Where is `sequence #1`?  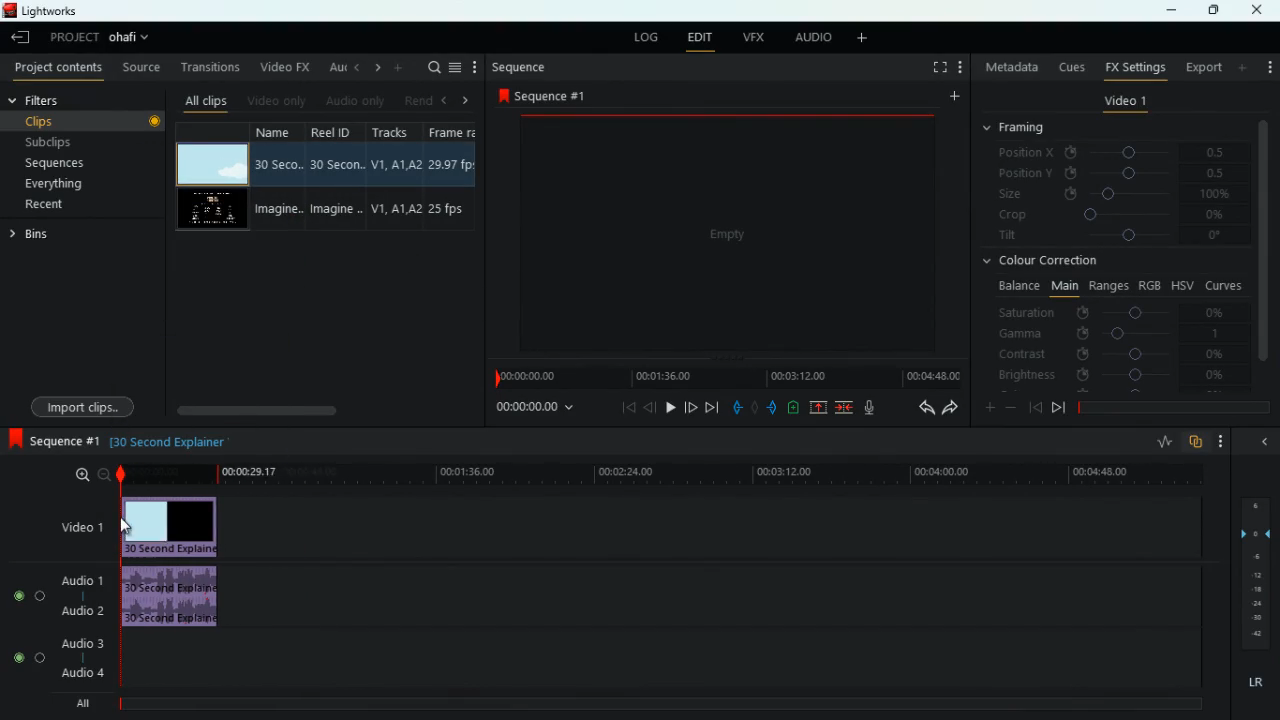
sequence #1 is located at coordinates (544, 97).